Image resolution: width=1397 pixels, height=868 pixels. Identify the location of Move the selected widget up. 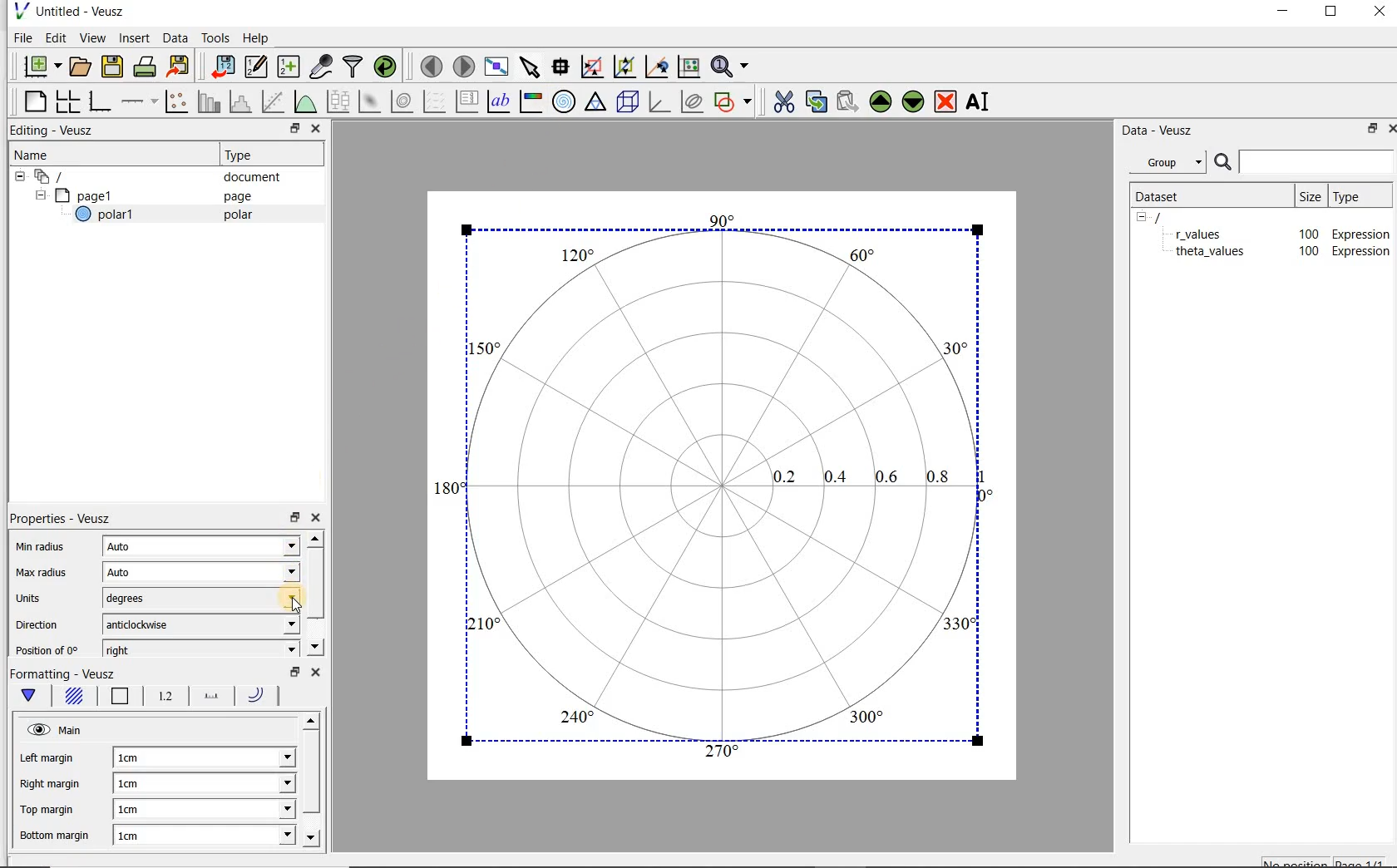
(881, 101).